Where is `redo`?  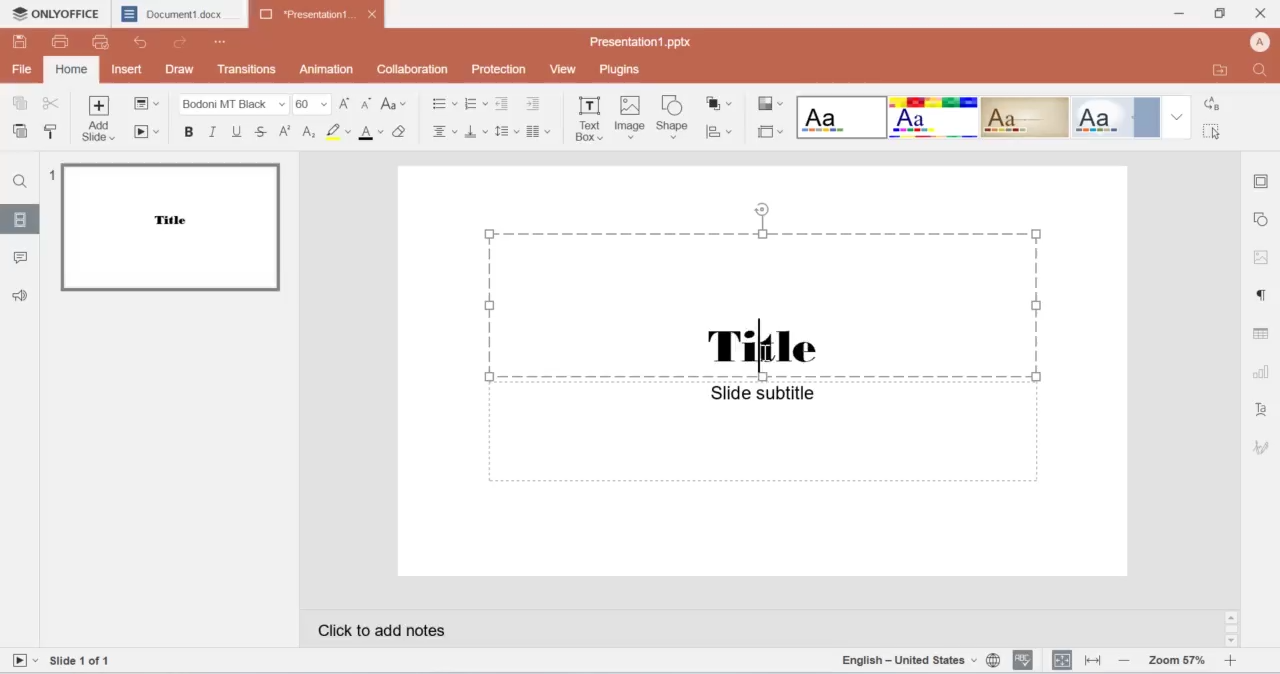
redo is located at coordinates (182, 45).